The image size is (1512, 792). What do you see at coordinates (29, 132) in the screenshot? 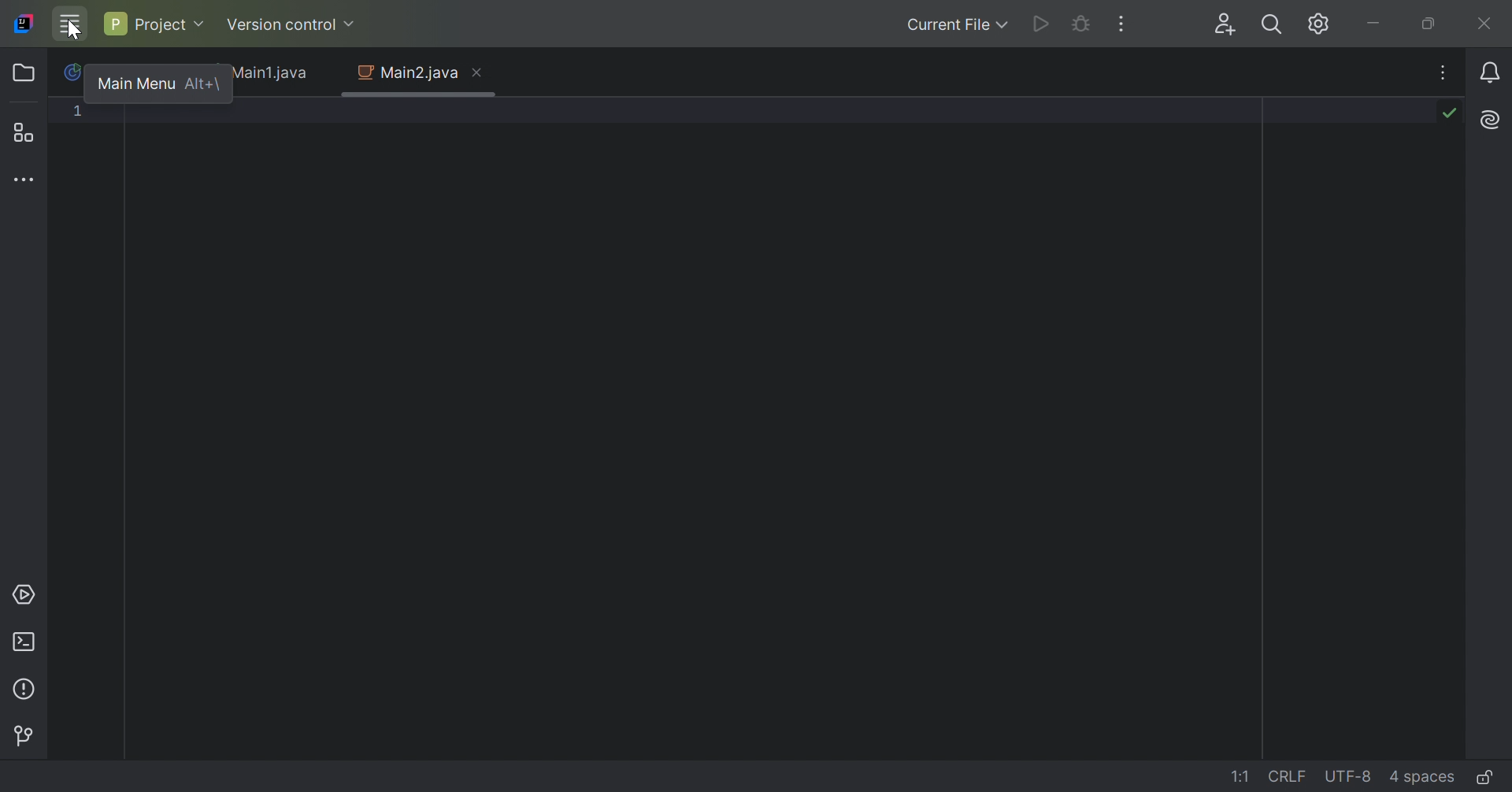
I see `Structure` at bounding box center [29, 132].